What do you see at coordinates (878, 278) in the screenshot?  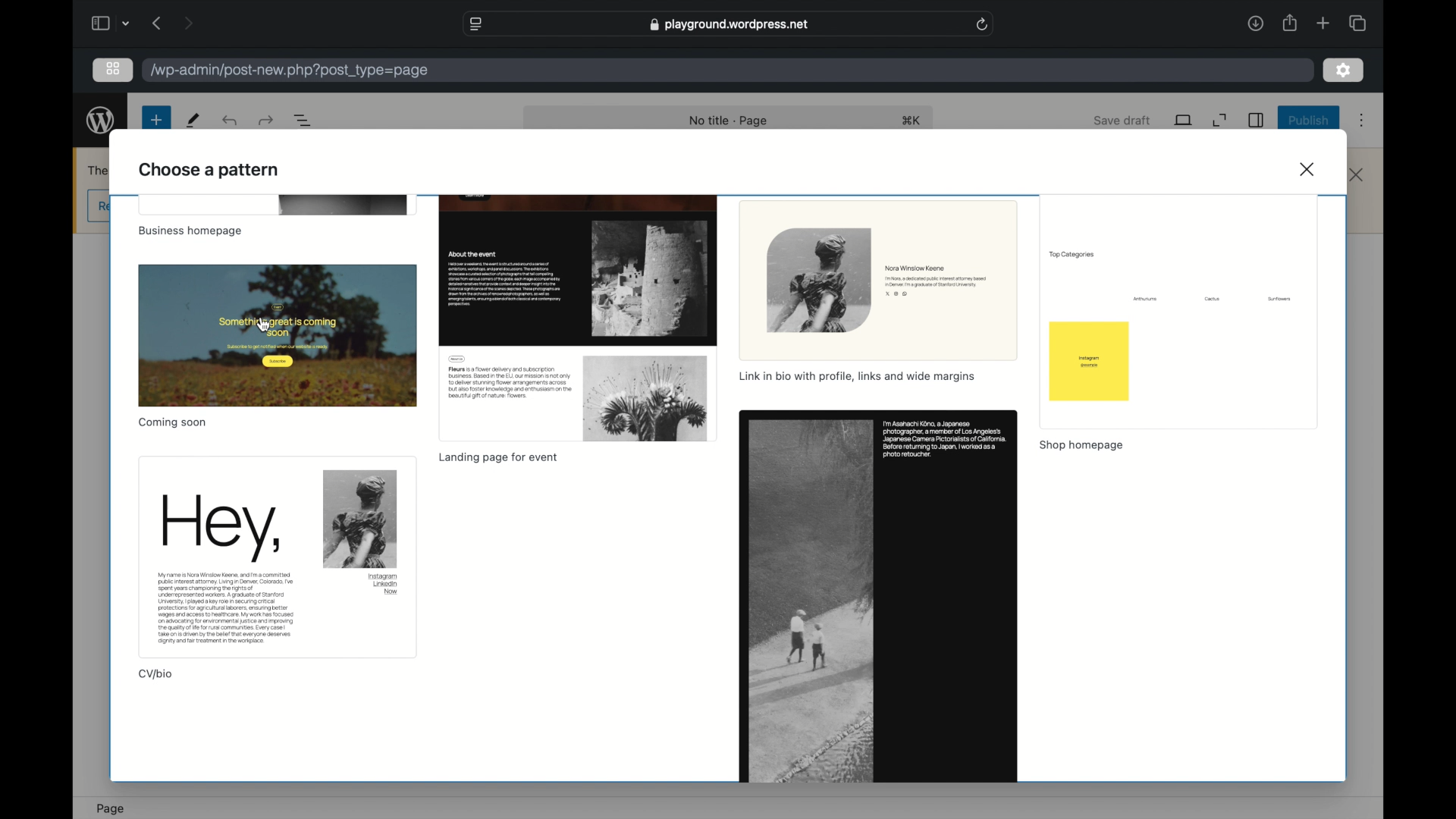 I see `preview` at bounding box center [878, 278].